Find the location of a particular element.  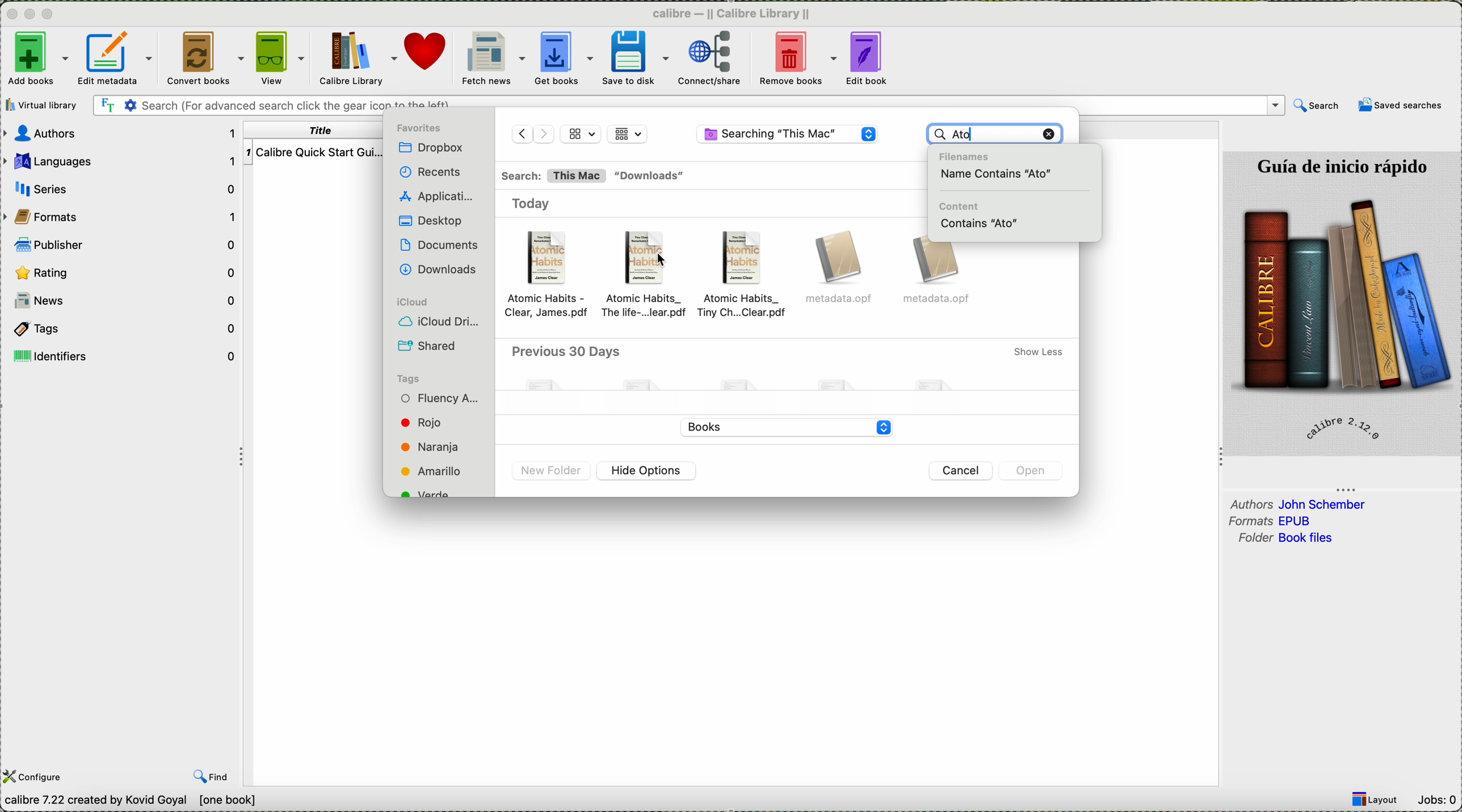

image quick start guide is located at coordinates (1343, 303).